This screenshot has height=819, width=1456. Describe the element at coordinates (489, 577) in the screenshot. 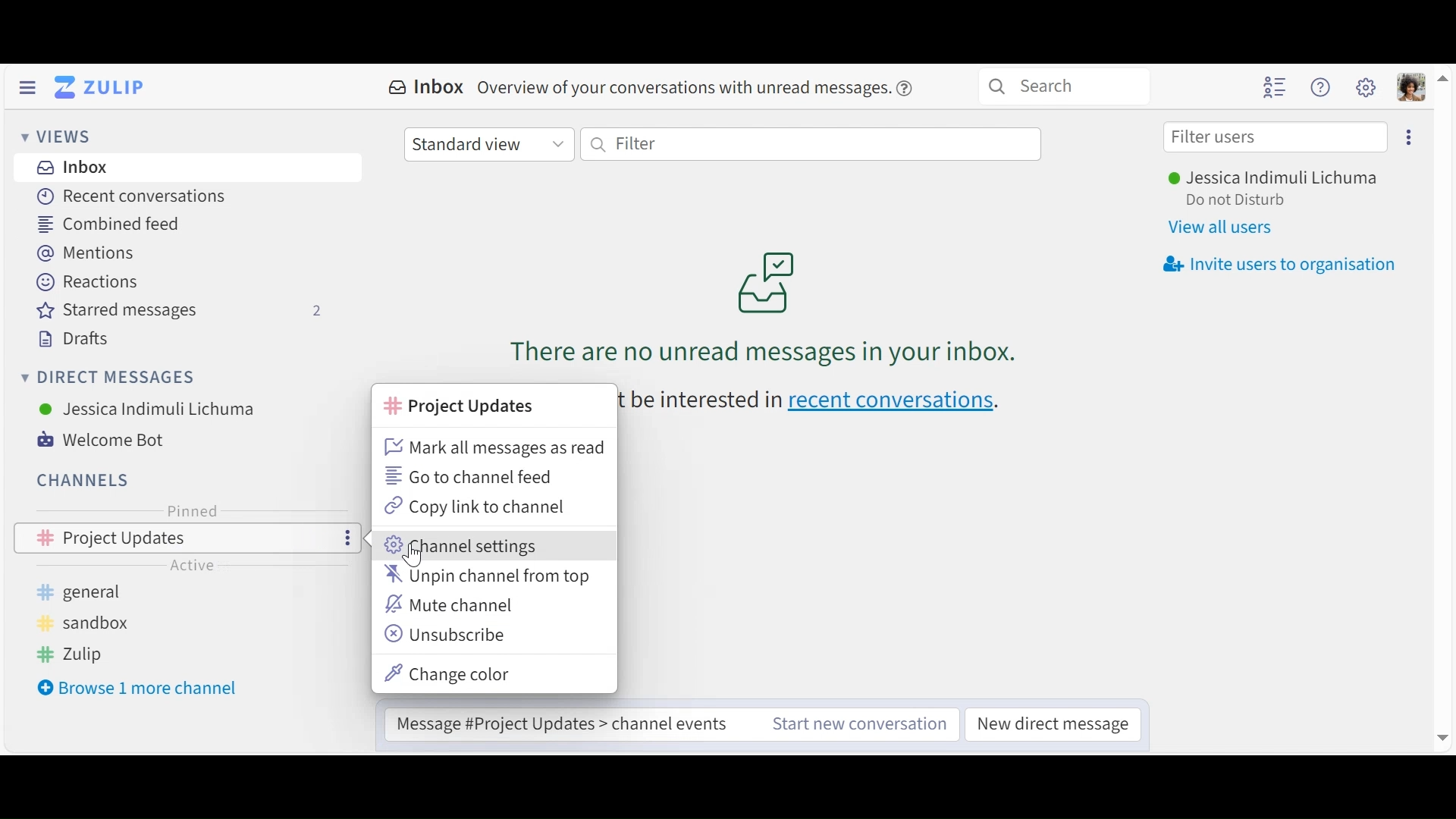

I see `unpin channel from top` at that location.